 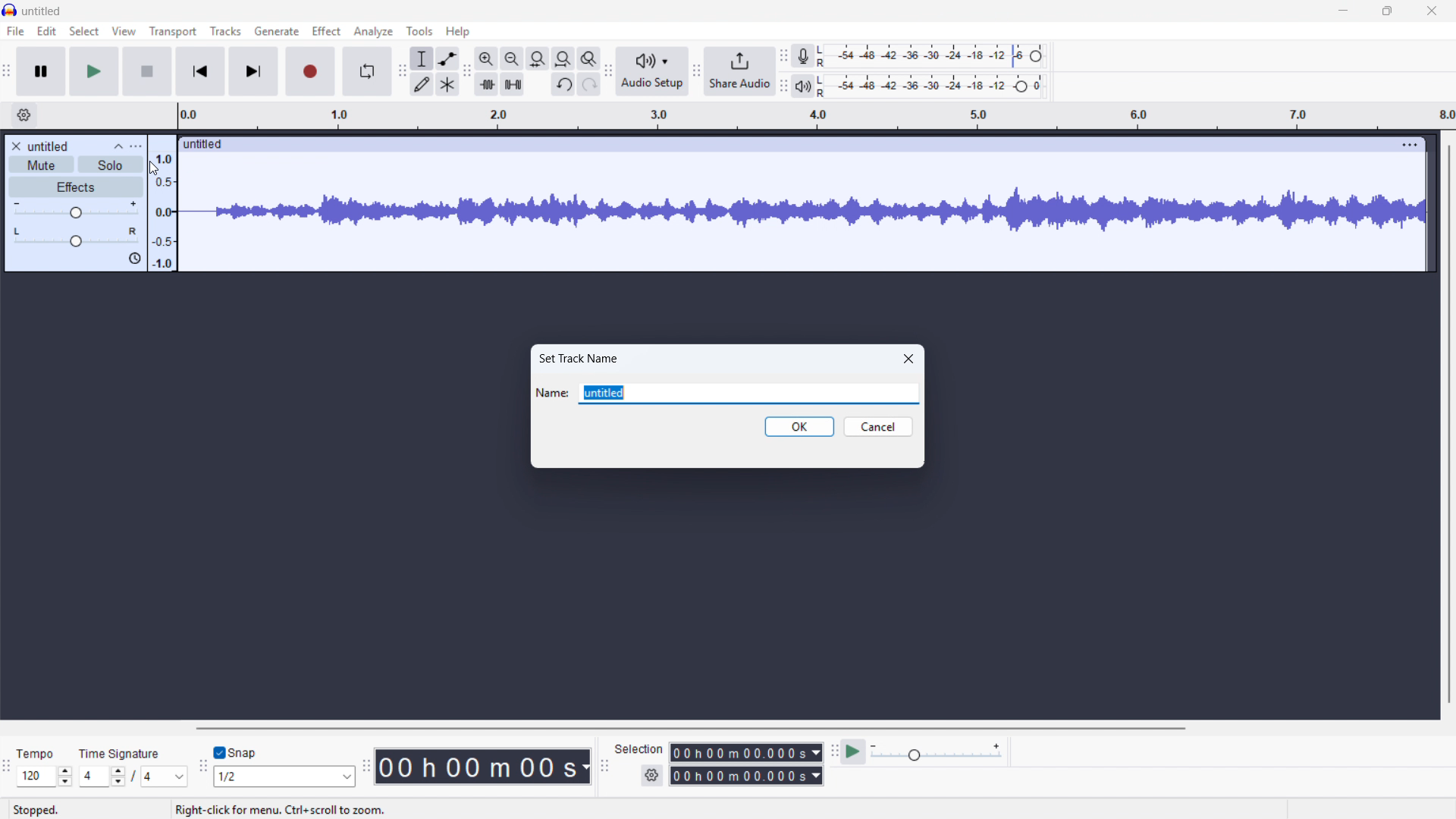 What do you see at coordinates (77, 237) in the screenshot?
I see `pan: centre` at bounding box center [77, 237].